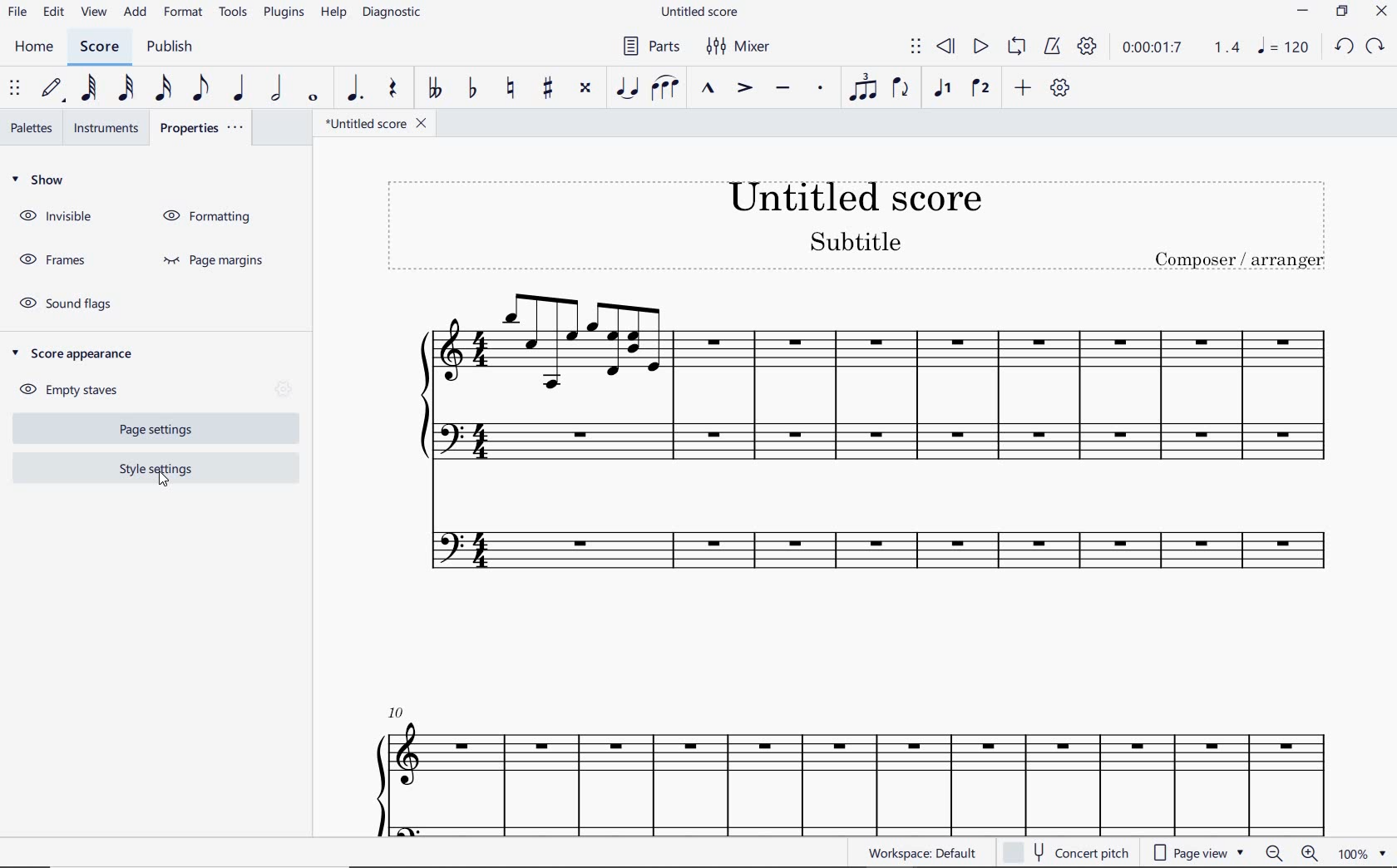 The height and width of the screenshot is (868, 1397). Describe the element at coordinates (927, 853) in the screenshot. I see `WORKSPACE: DEFAULT` at that location.